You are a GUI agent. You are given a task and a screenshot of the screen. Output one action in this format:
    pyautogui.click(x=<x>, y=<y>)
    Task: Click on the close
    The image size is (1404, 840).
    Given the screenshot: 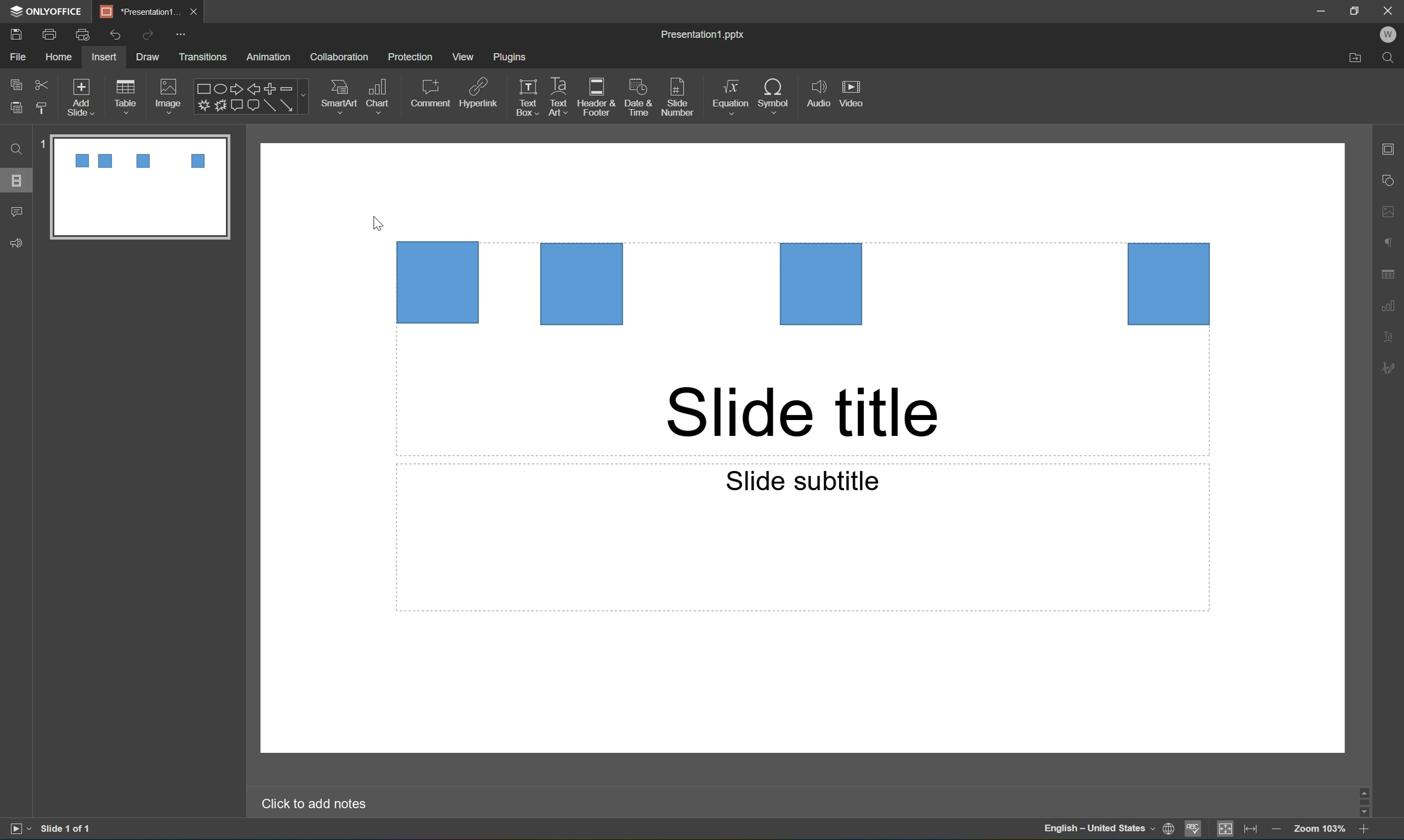 What is the action you would take?
    pyautogui.click(x=196, y=12)
    